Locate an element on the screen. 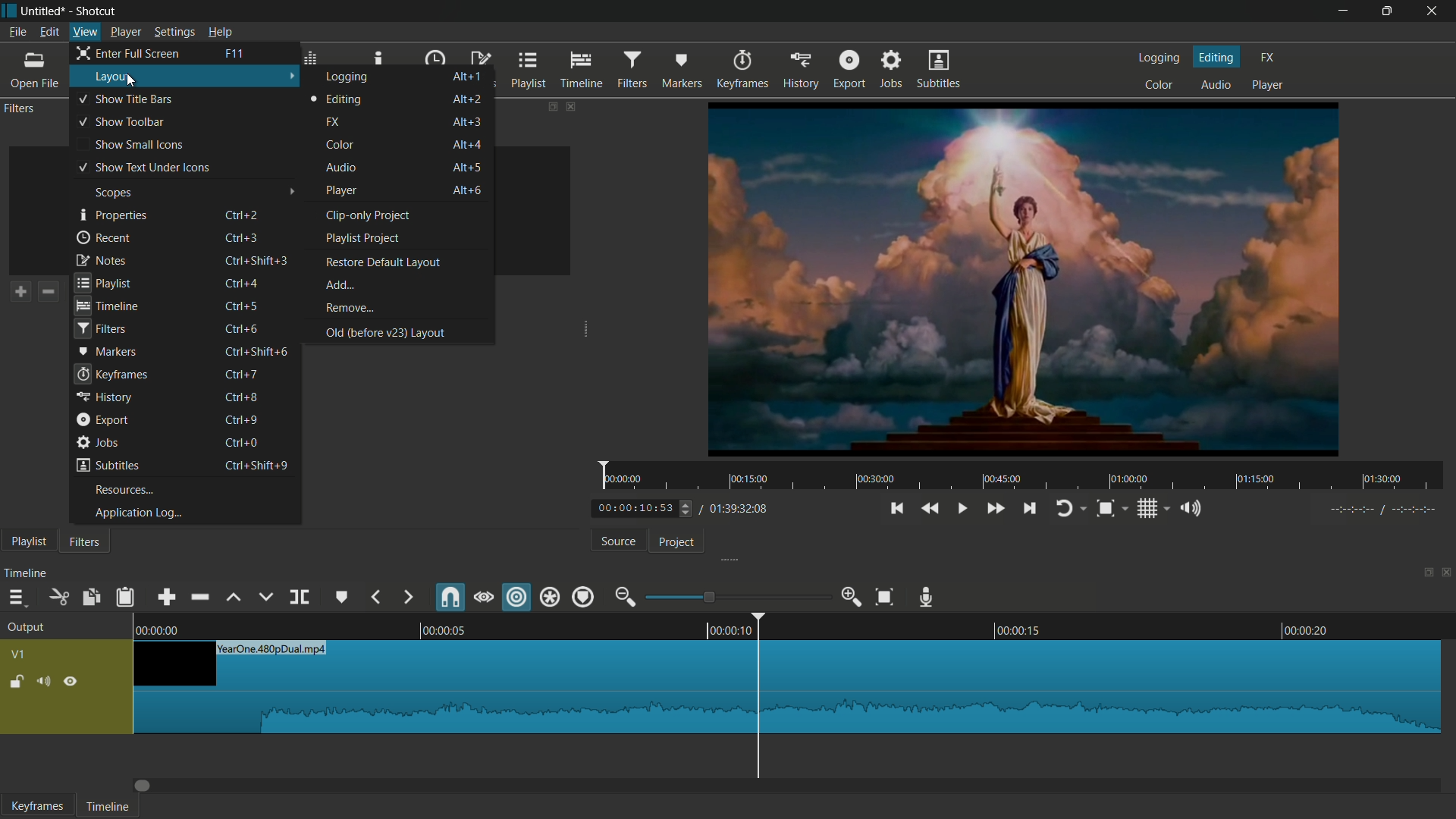 The image size is (1456, 819). zoom out is located at coordinates (624, 597).